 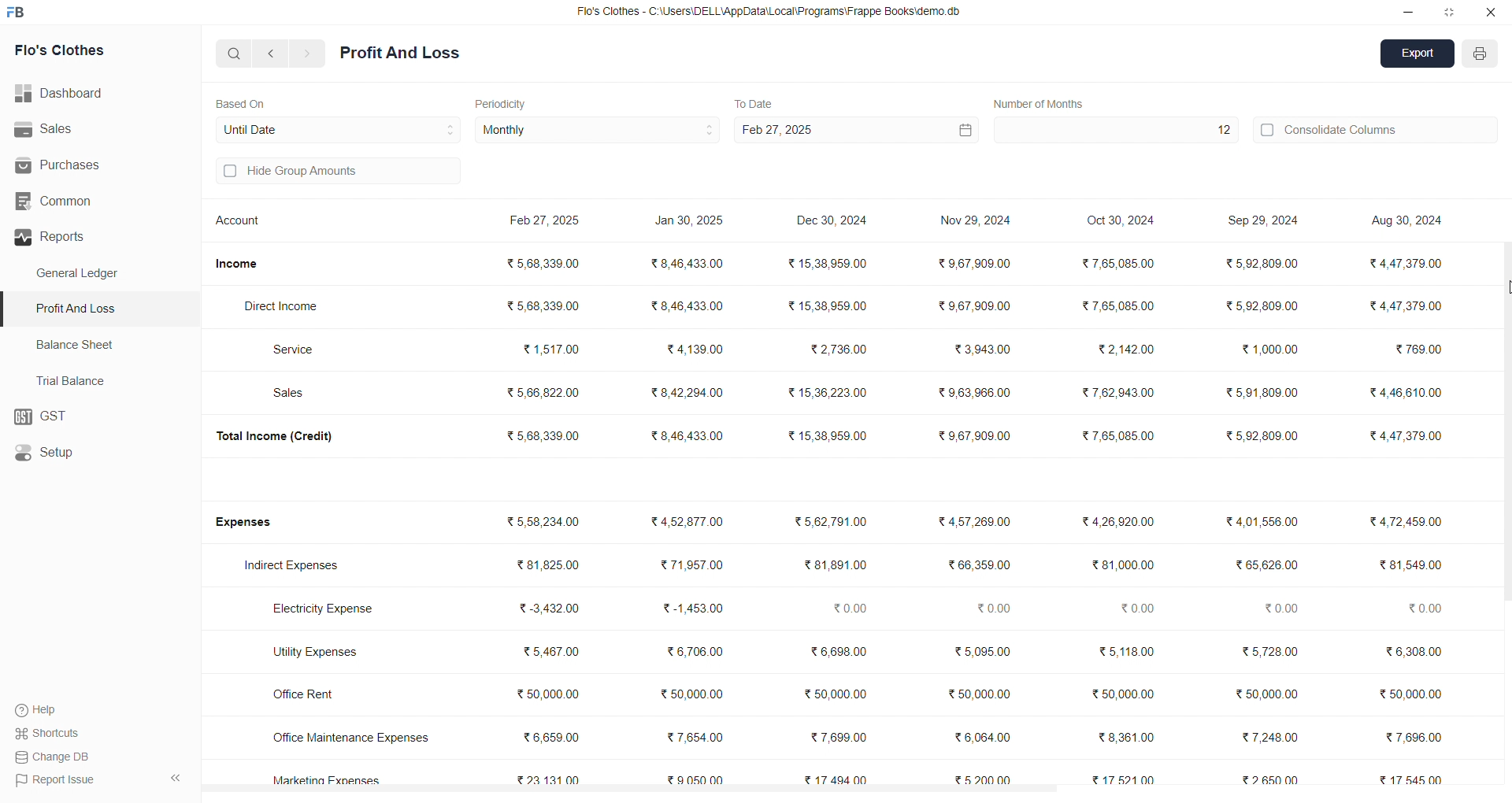 I want to click on cursor, so click(x=1498, y=290).